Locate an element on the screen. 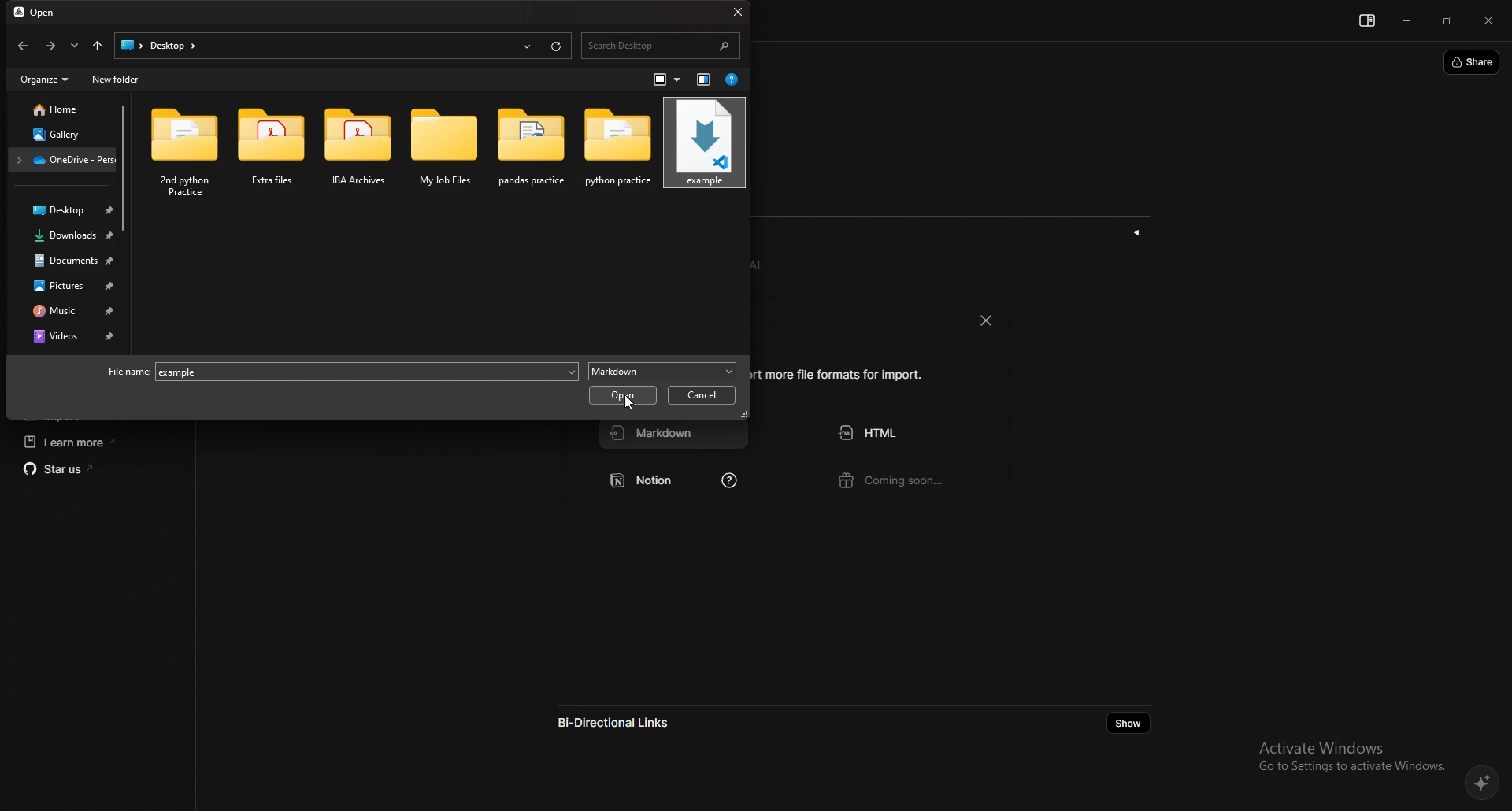  help is located at coordinates (731, 80).